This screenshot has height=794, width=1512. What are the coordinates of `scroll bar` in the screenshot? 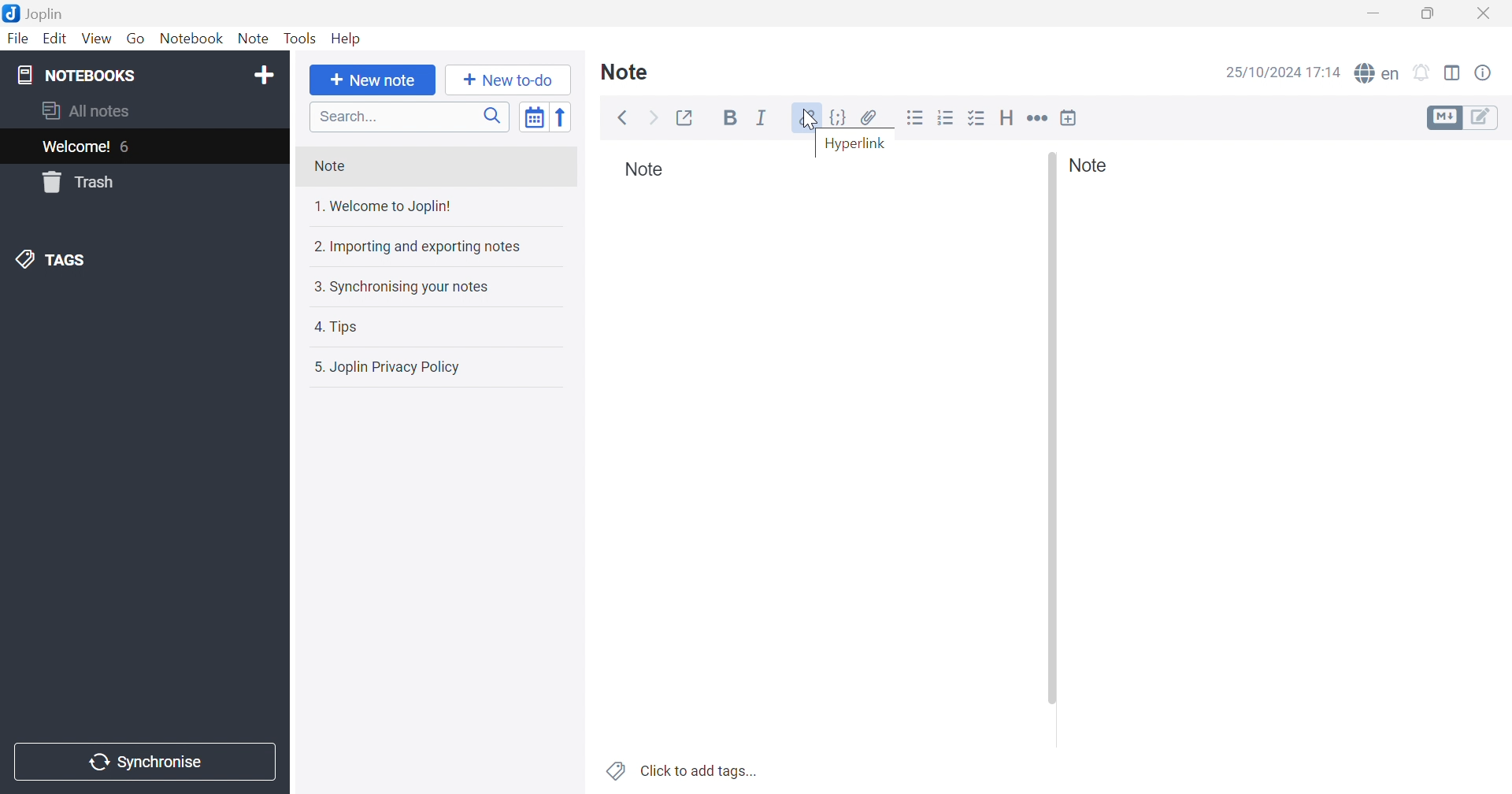 It's located at (1052, 429).